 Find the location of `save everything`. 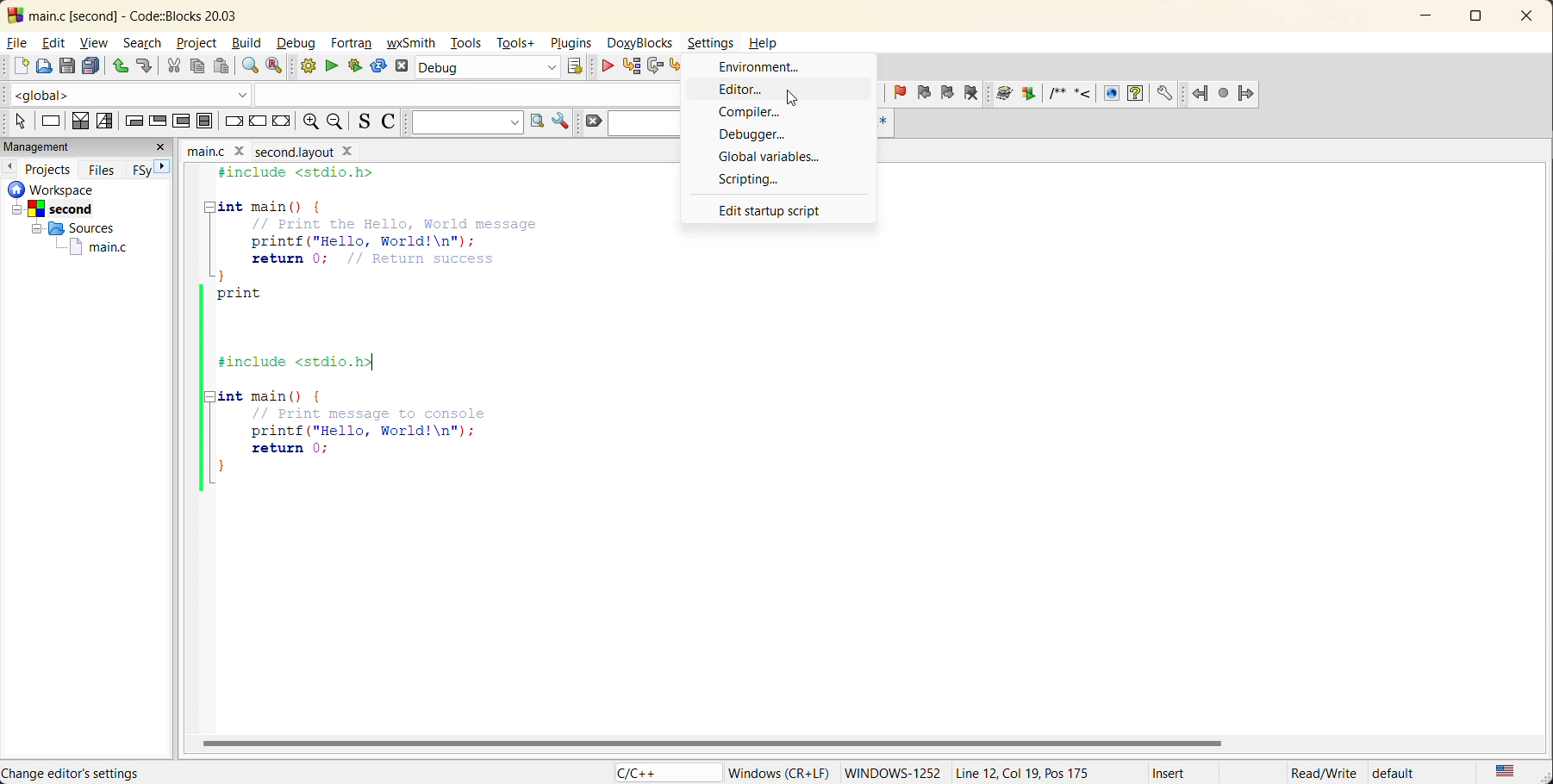

save everything is located at coordinates (90, 65).